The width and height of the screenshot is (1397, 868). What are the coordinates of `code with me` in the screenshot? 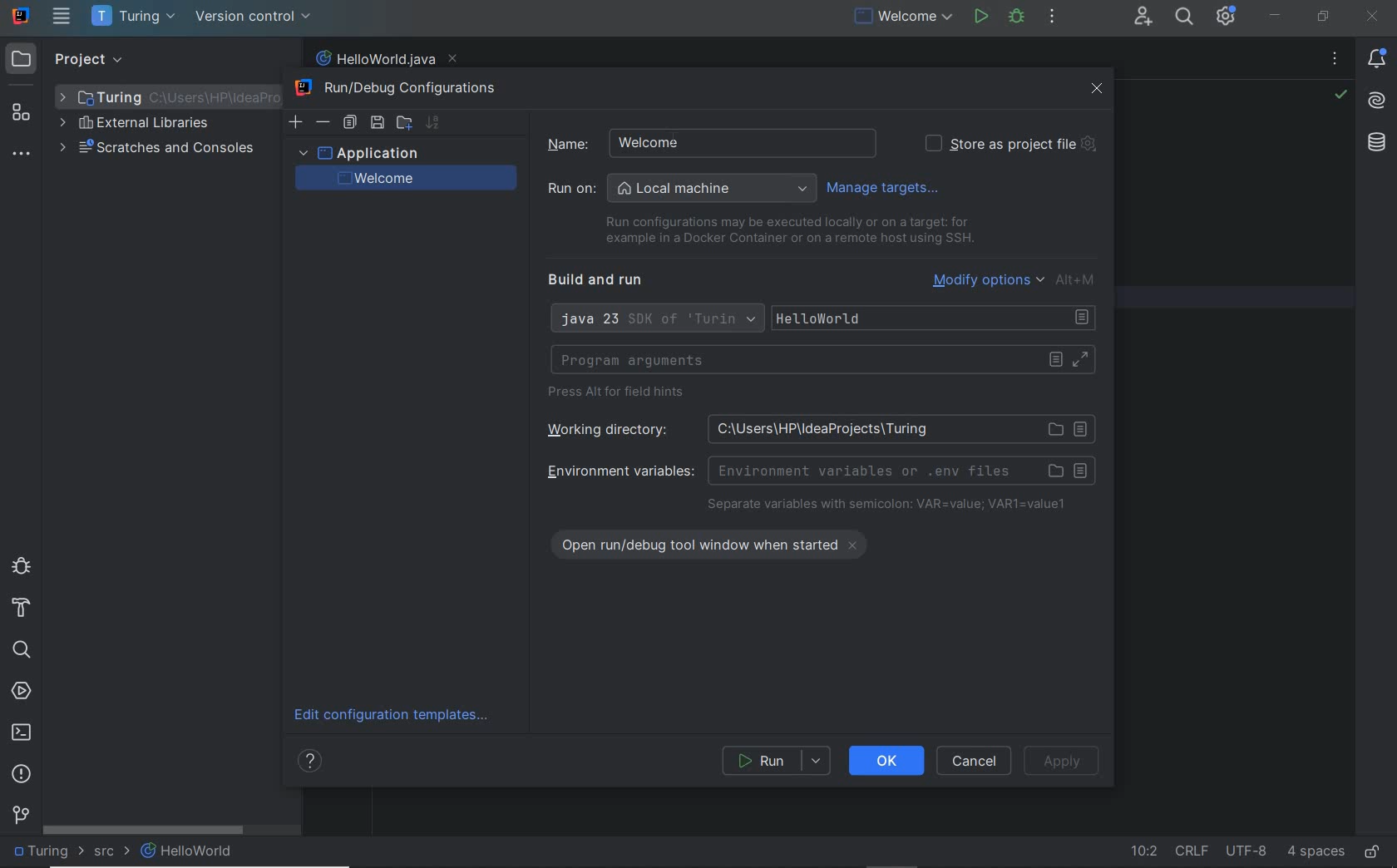 It's located at (1144, 18).